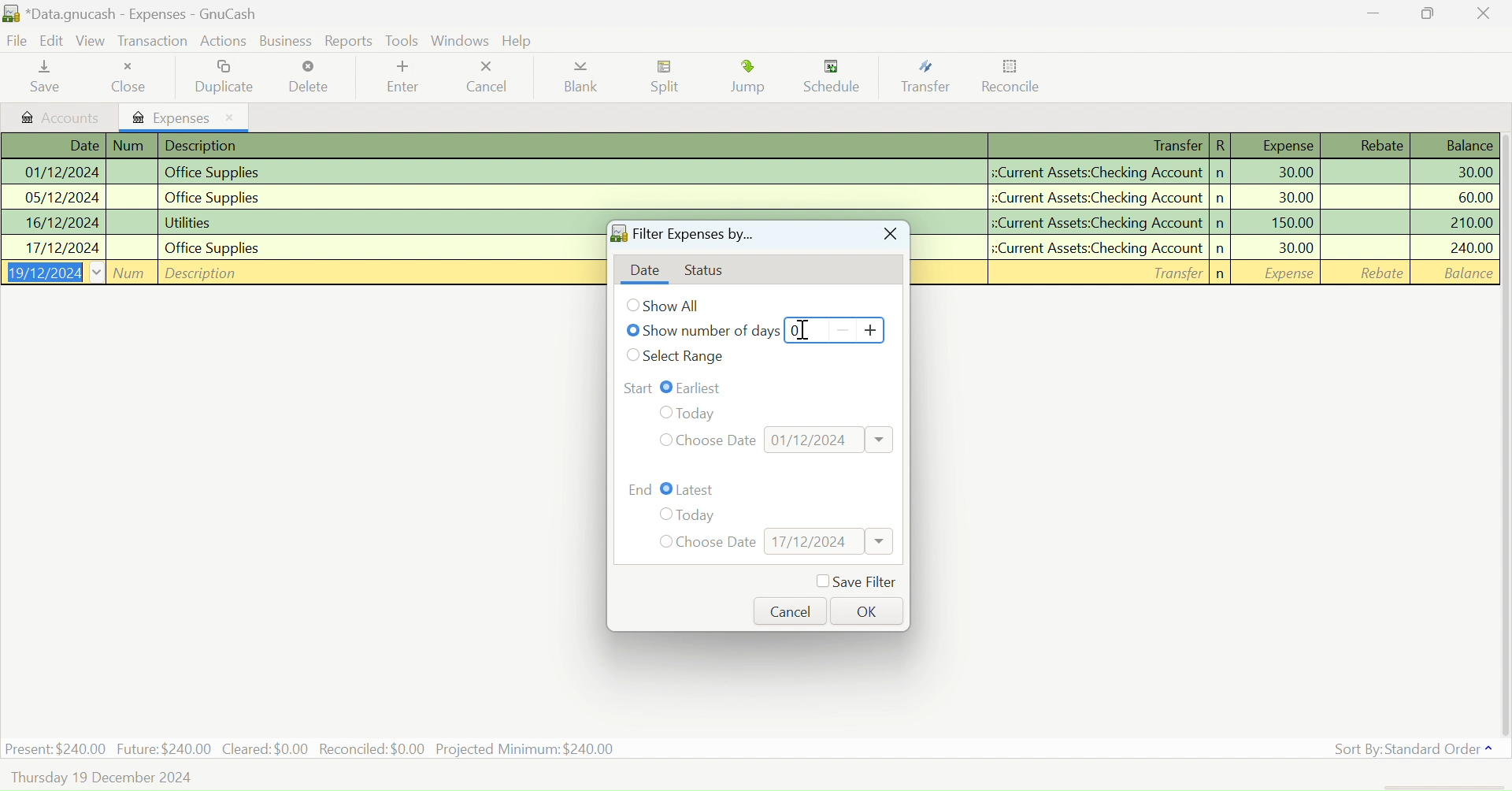 The height and width of the screenshot is (791, 1512). Describe the element at coordinates (520, 41) in the screenshot. I see `Help` at that location.